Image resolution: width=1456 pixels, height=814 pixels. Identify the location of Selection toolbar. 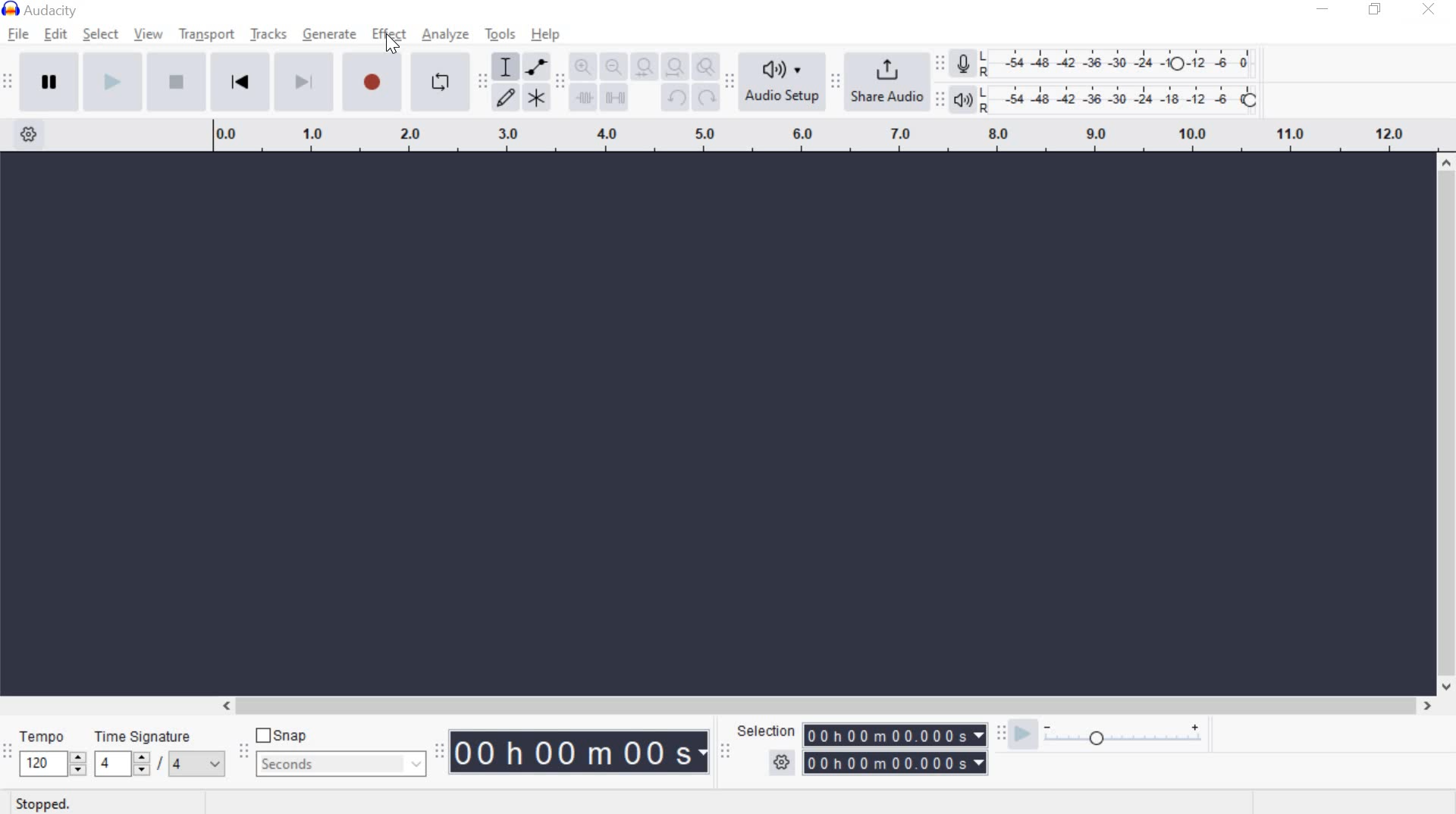
(726, 750).